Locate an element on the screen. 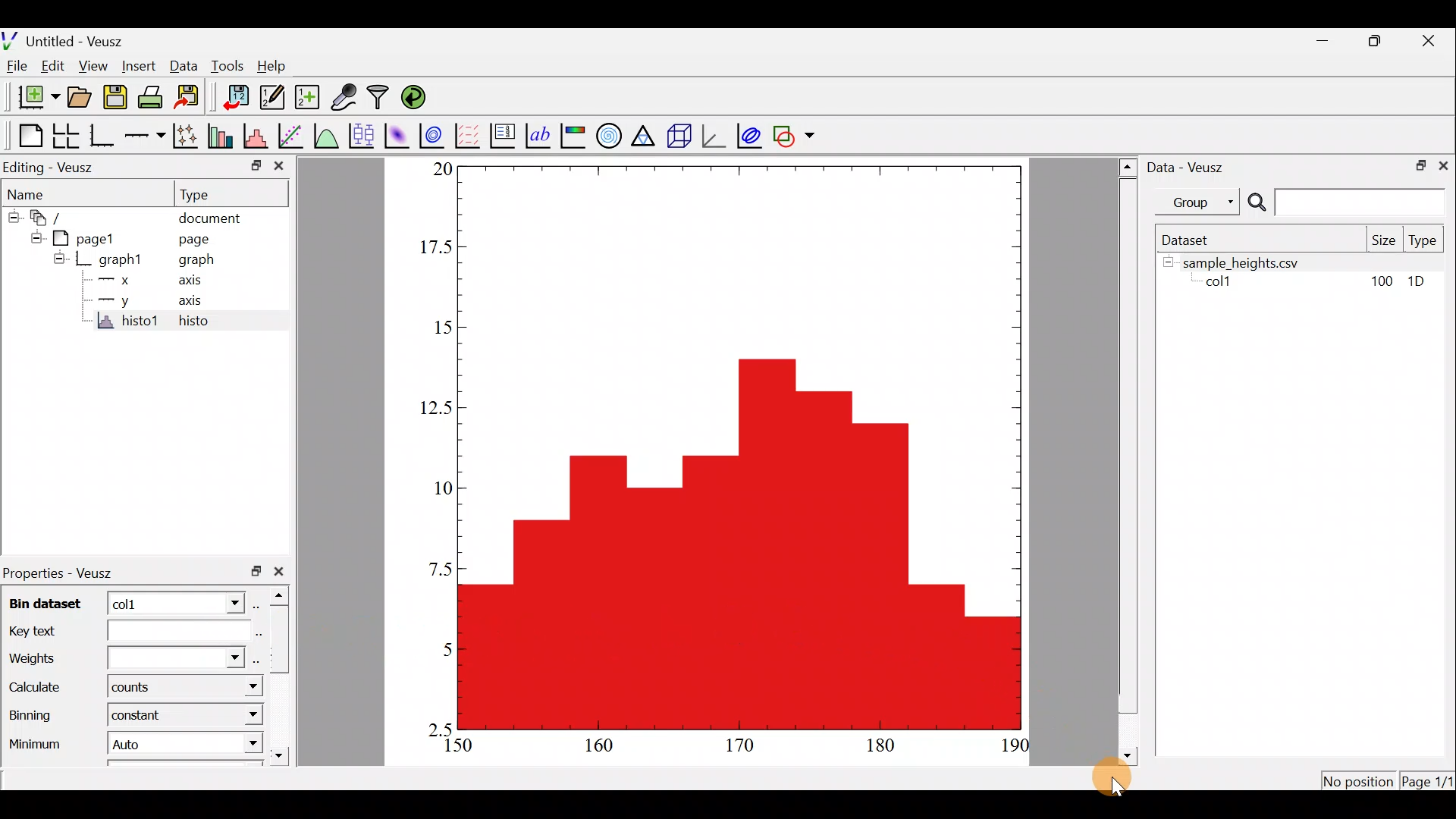  Type is located at coordinates (206, 193).